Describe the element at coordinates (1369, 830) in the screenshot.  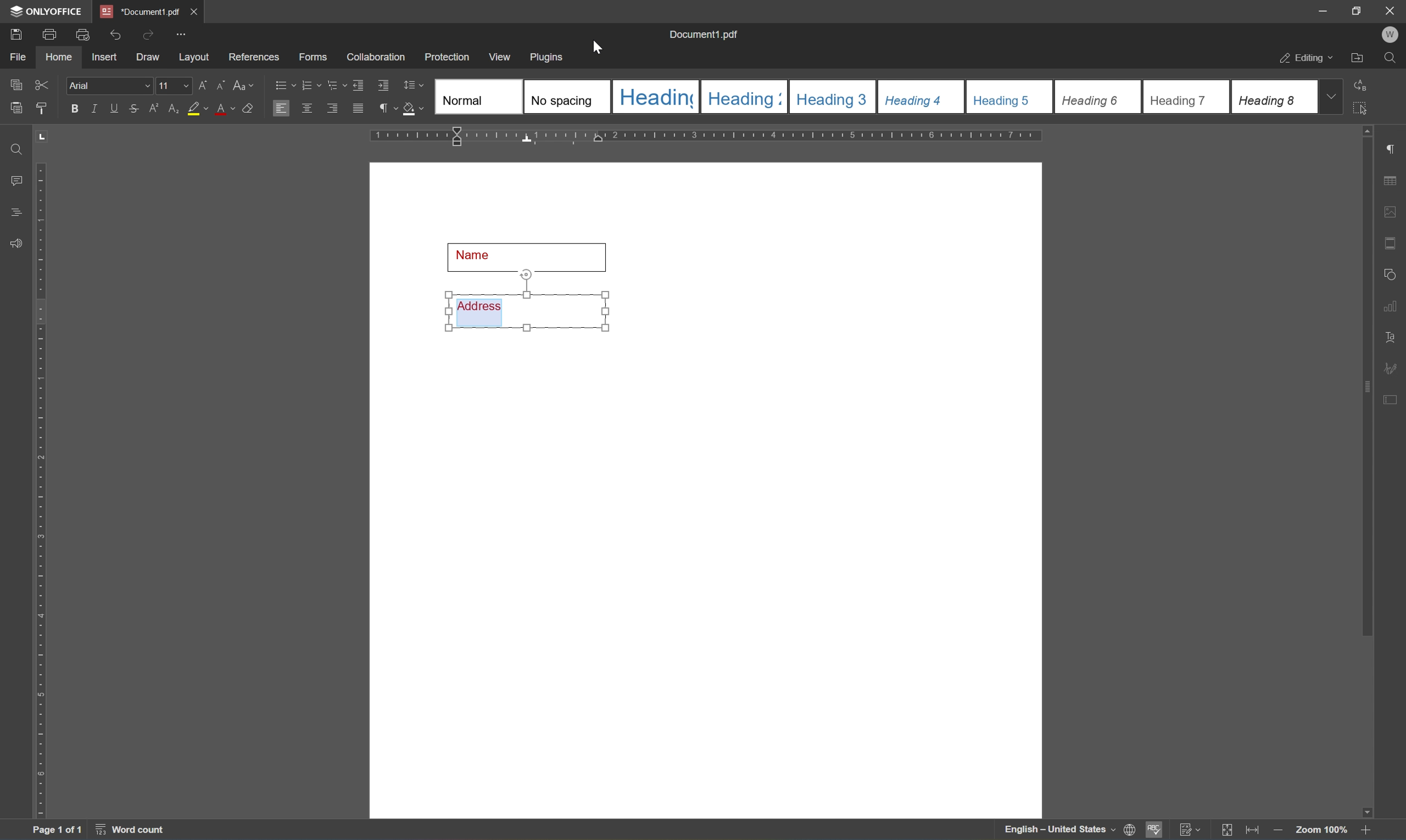
I see `zoom out` at that location.